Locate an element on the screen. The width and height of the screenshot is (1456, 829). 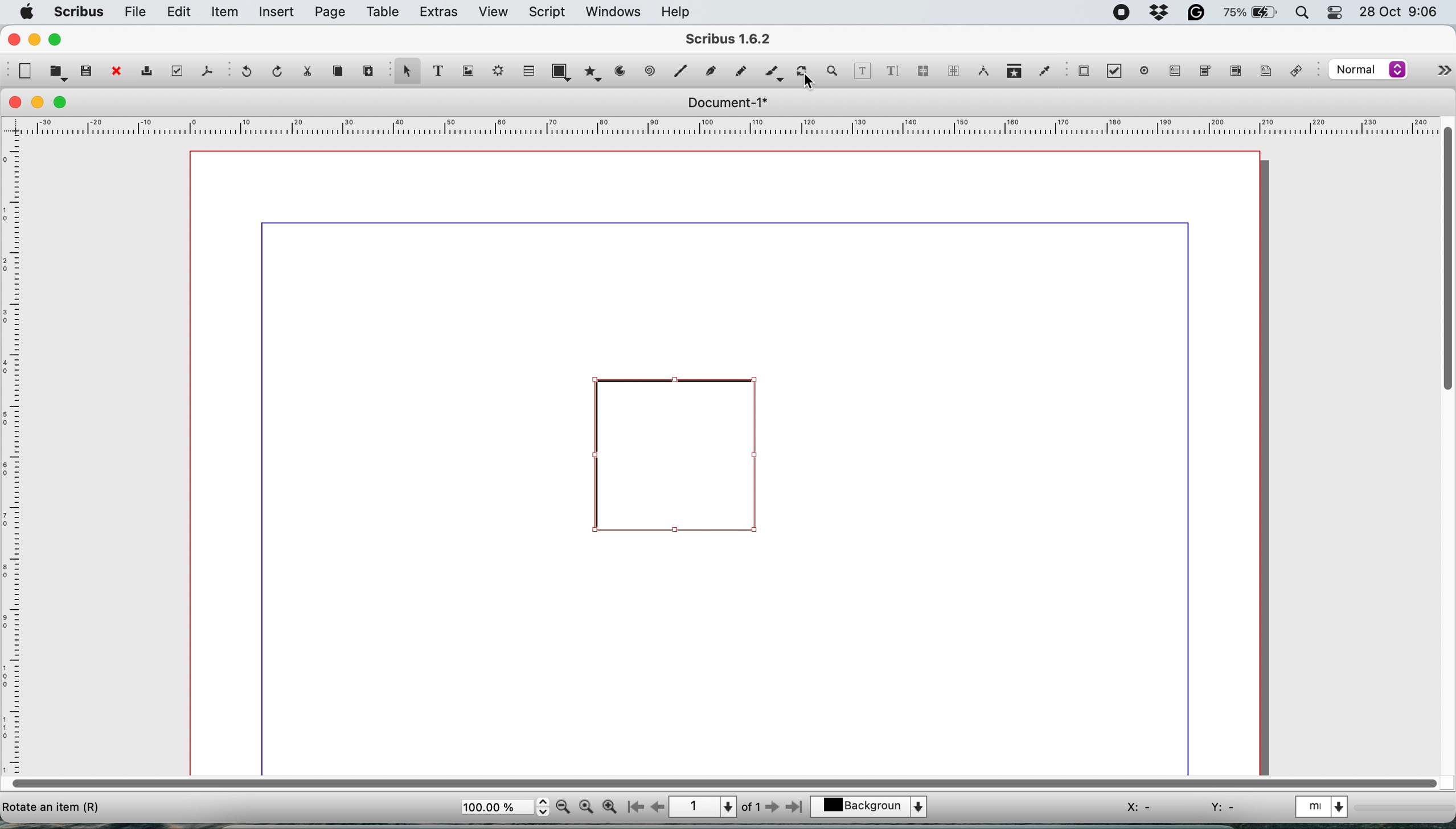
windows is located at coordinates (611, 11).